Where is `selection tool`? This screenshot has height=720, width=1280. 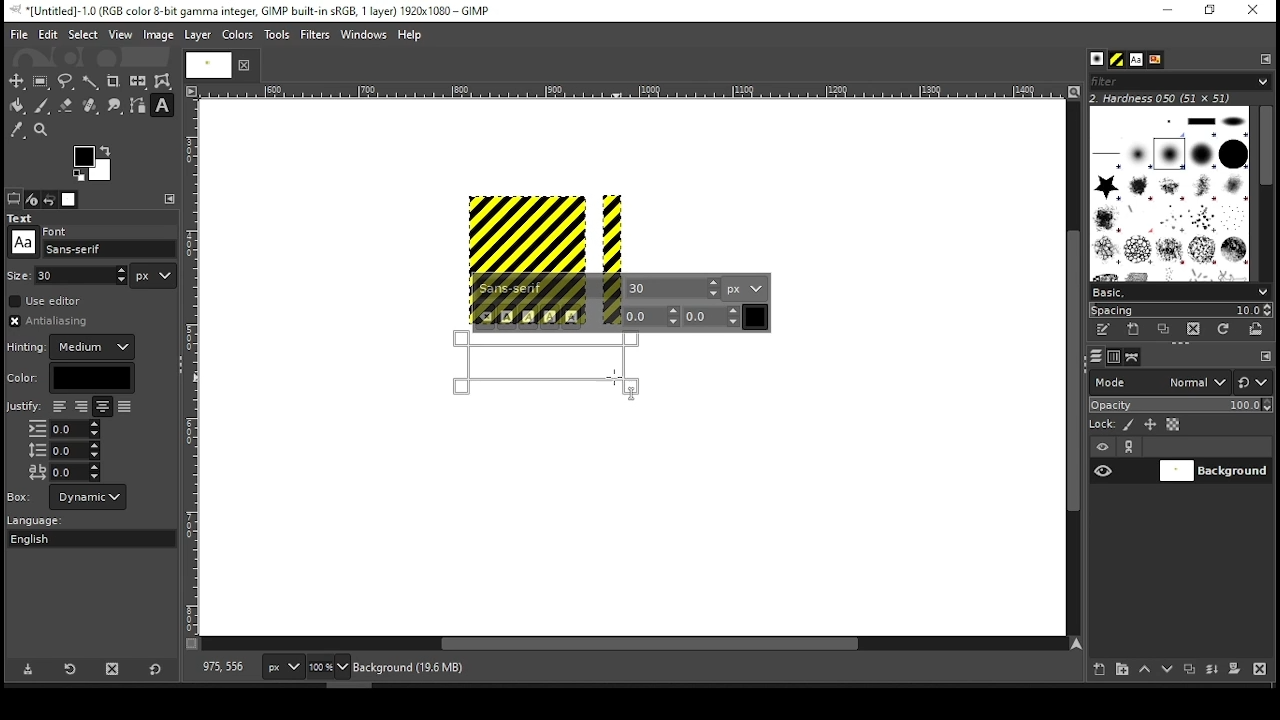 selection tool is located at coordinates (17, 81).